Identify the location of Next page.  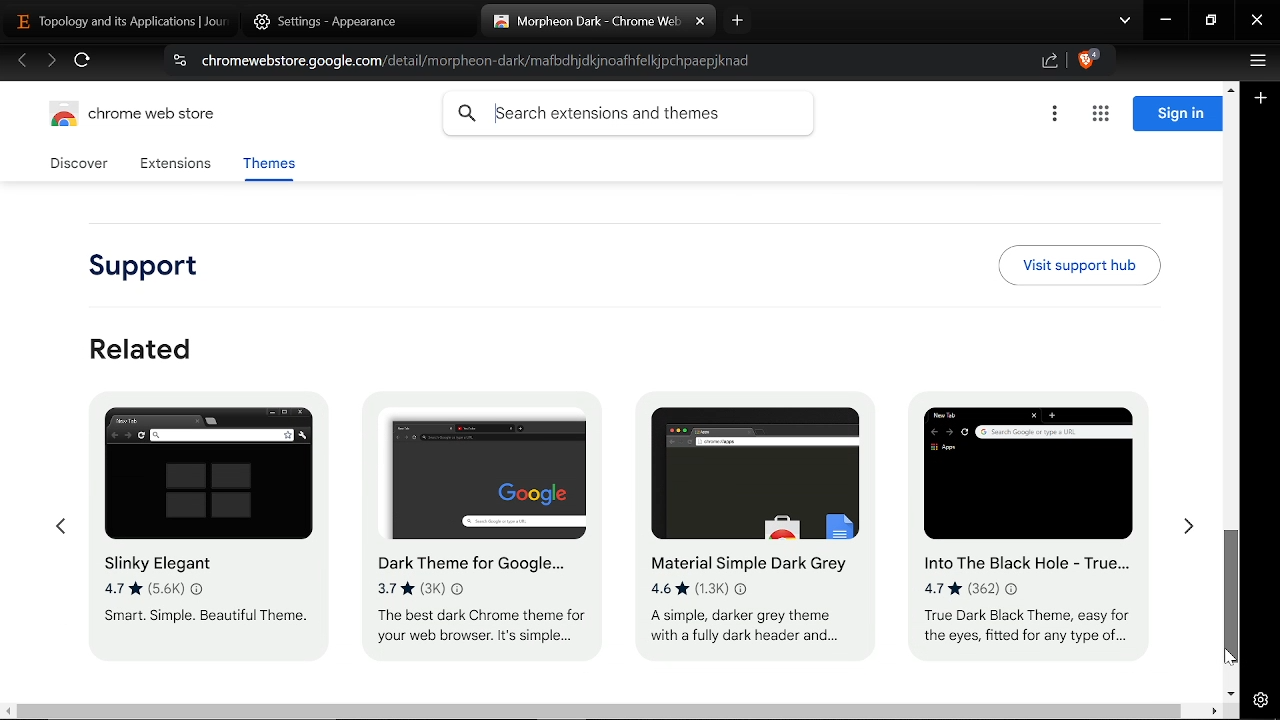
(51, 62).